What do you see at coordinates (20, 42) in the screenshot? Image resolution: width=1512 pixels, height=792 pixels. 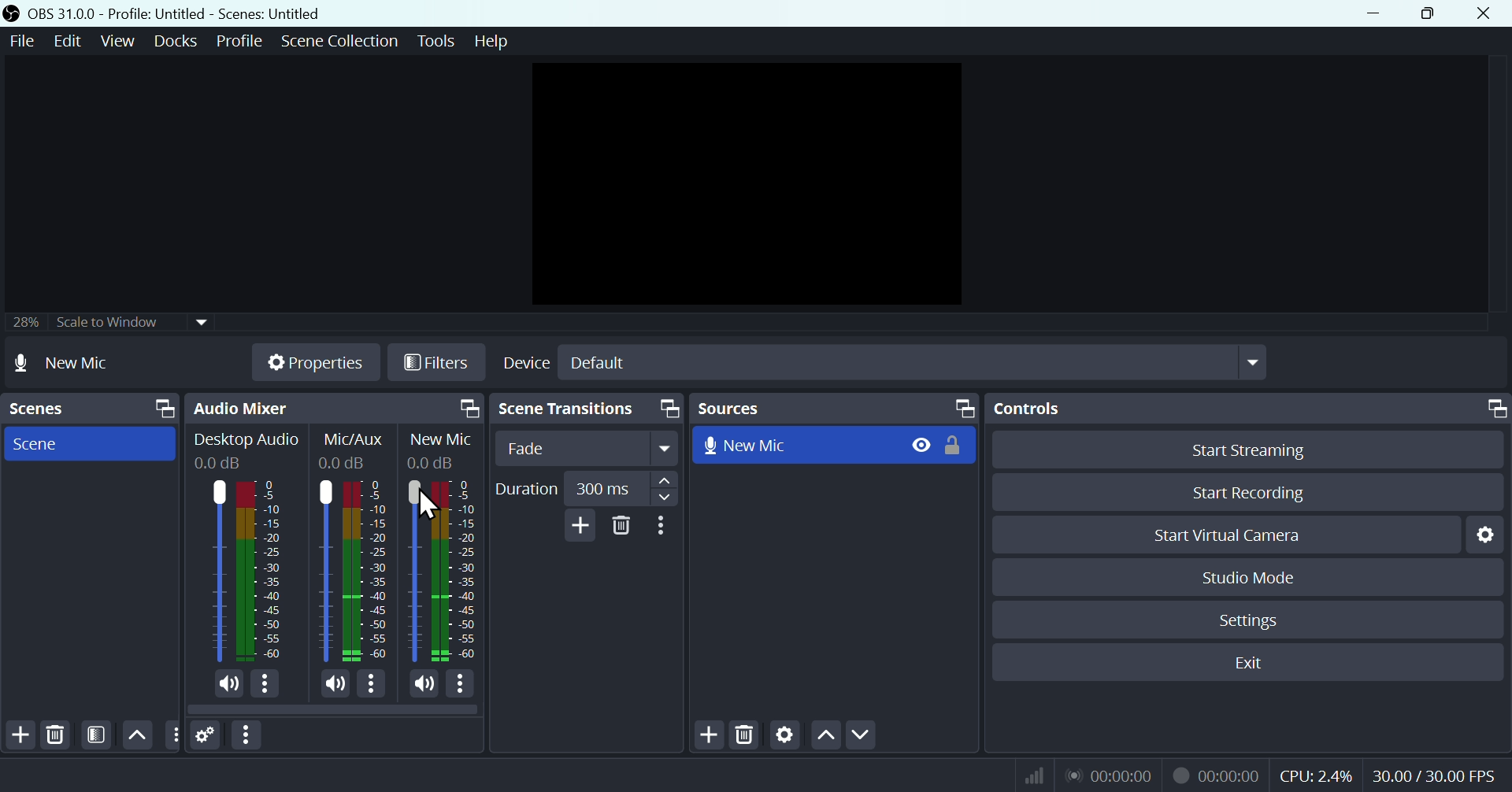 I see `File` at bounding box center [20, 42].